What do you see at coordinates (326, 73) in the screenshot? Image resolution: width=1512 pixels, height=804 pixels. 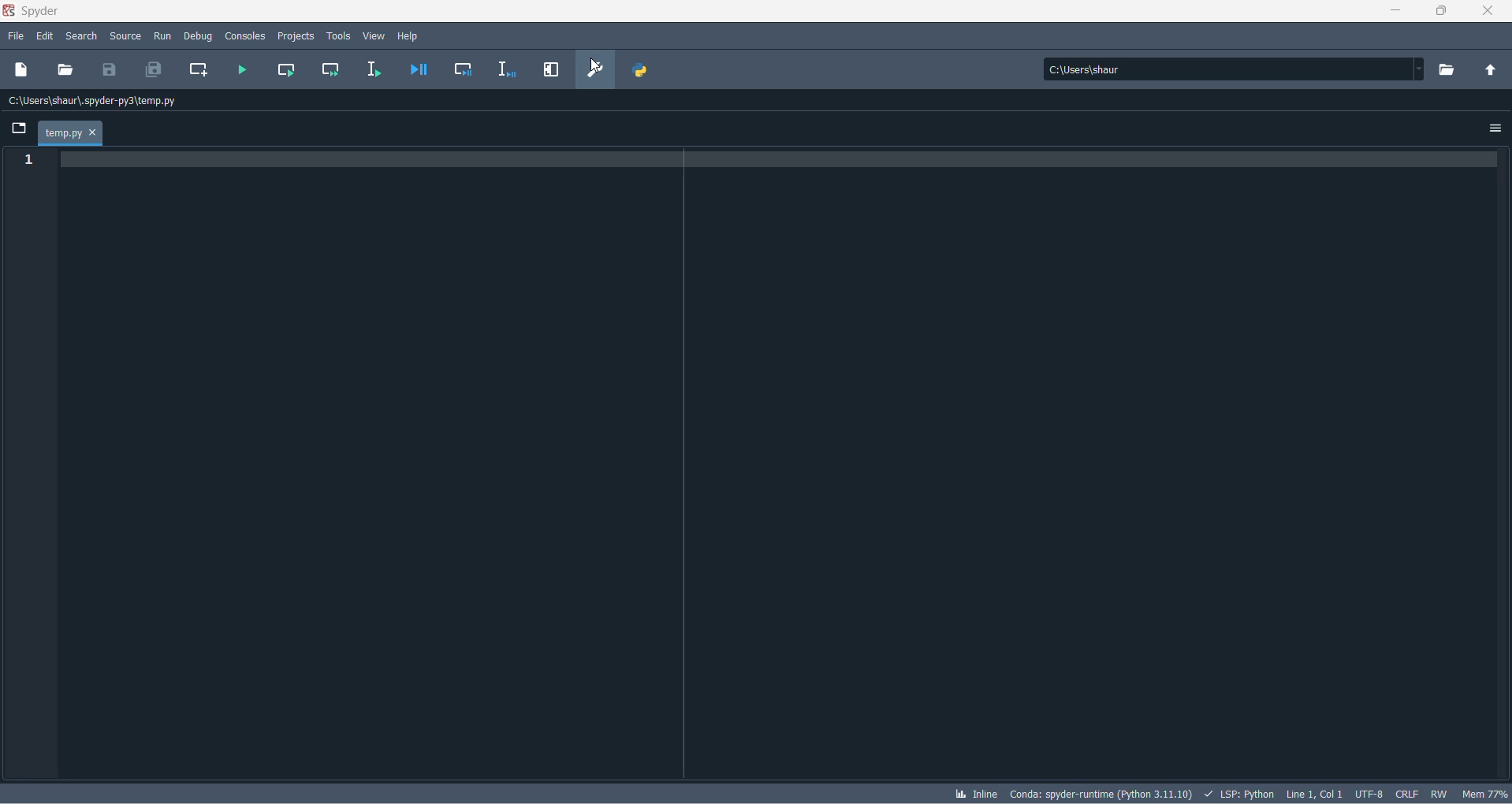 I see `run current cell` at bounding box center [326, 73].